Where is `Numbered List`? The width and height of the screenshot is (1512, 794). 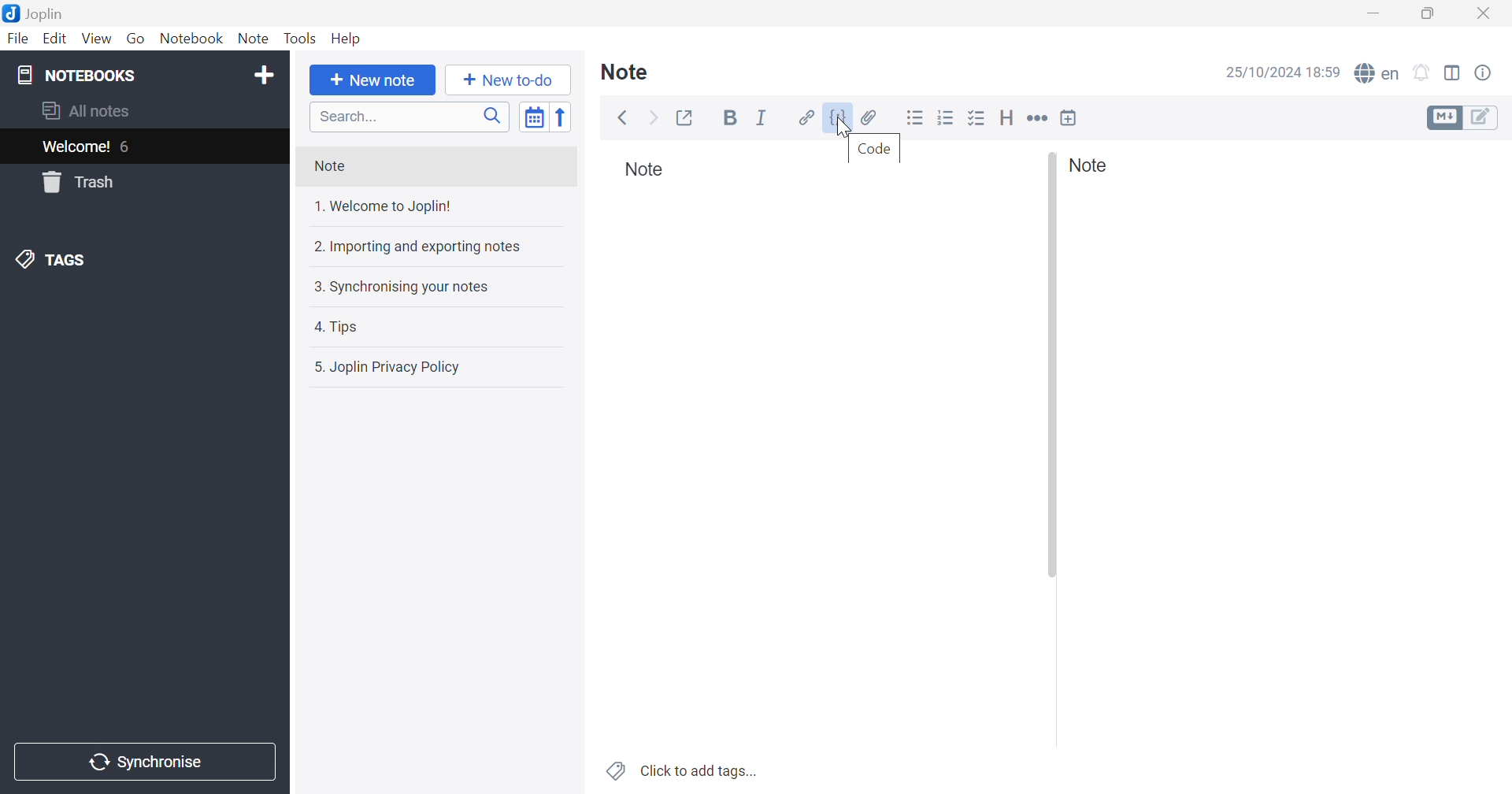
Numbered List is located at coordinates (946, 117).